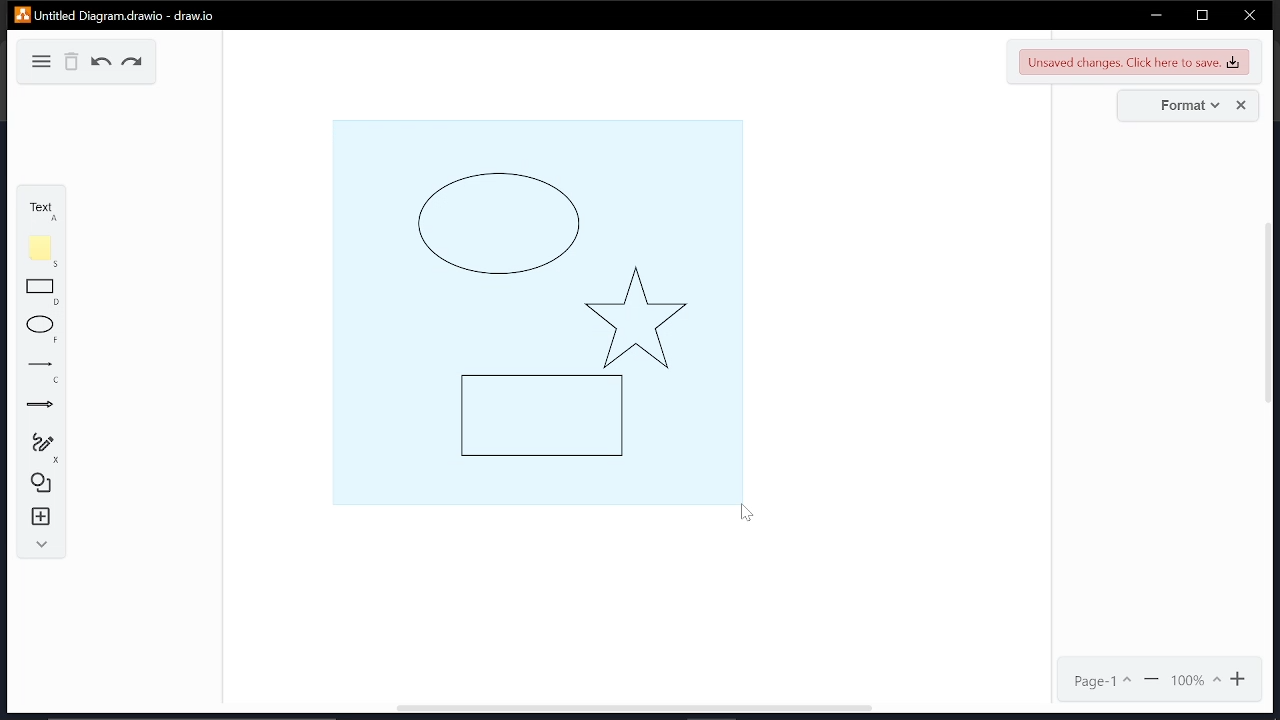 The width and height of the screenshot is (1280, 720). What do you see at coordinates (1202, 15) in the screenshot?
I see `restore down` at bounding box center [1202, 15].